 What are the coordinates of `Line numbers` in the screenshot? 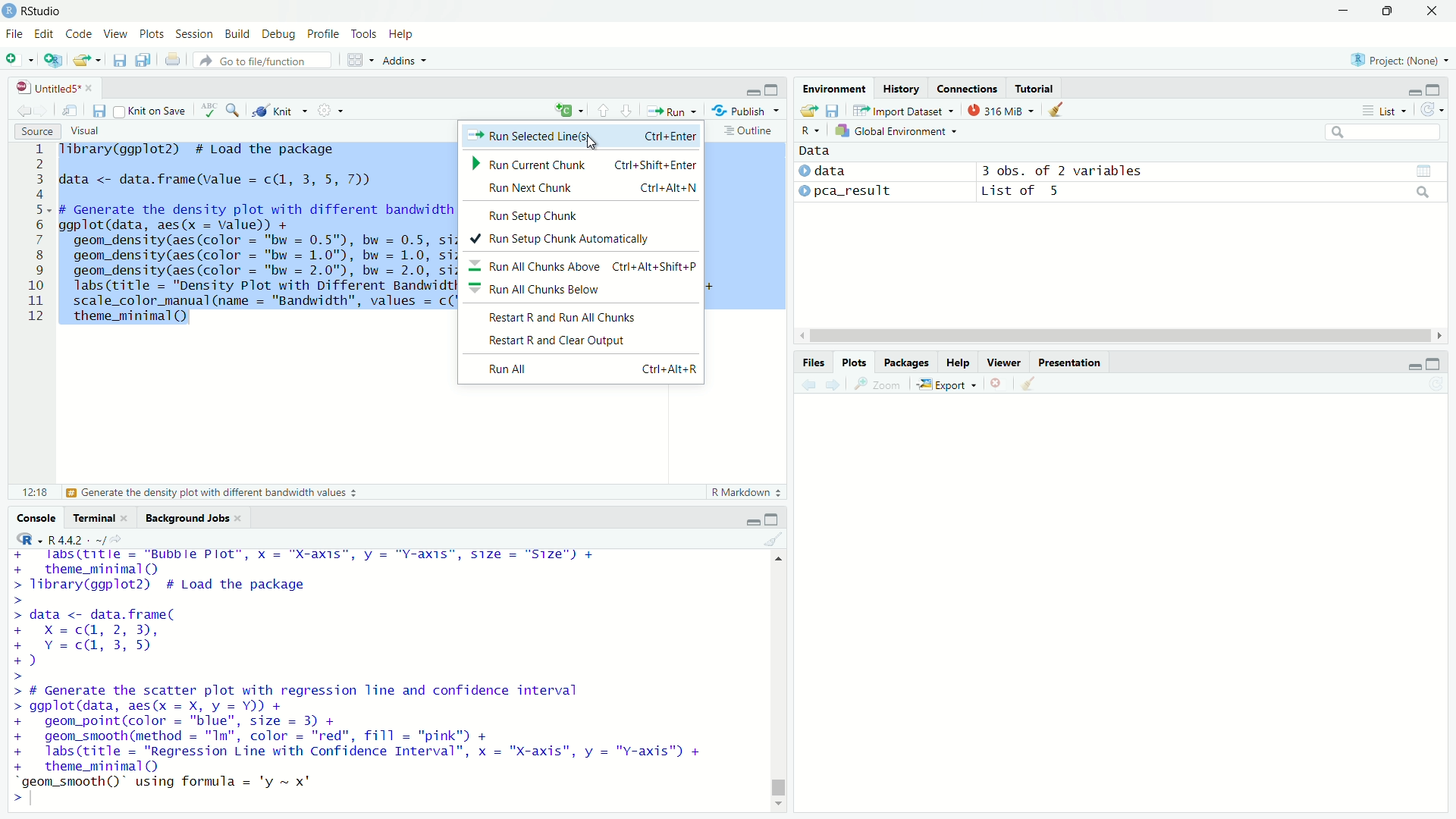 It's located at (32, 235).